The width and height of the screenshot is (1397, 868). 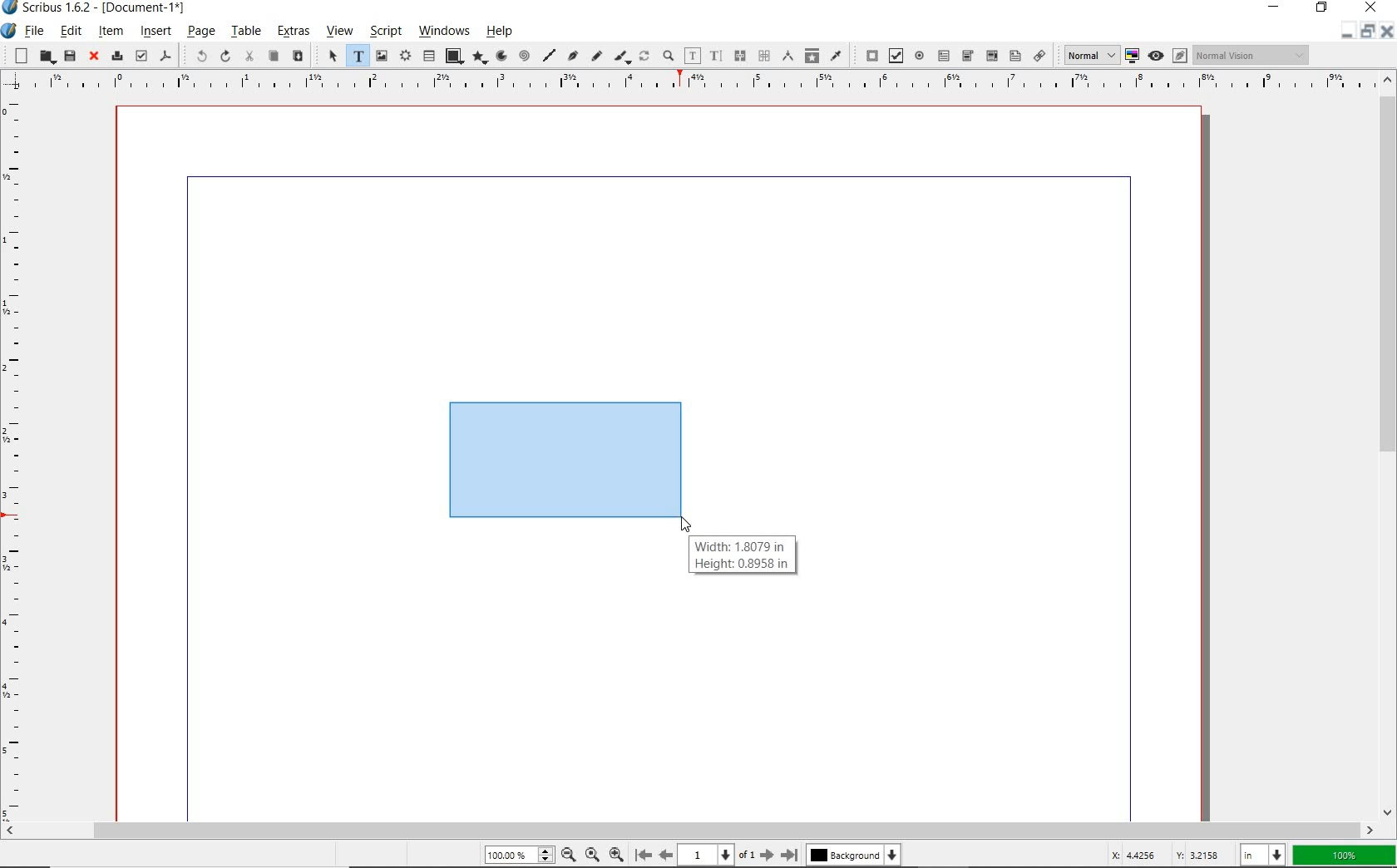 I want to click on windows, so click(x=446, y=32).